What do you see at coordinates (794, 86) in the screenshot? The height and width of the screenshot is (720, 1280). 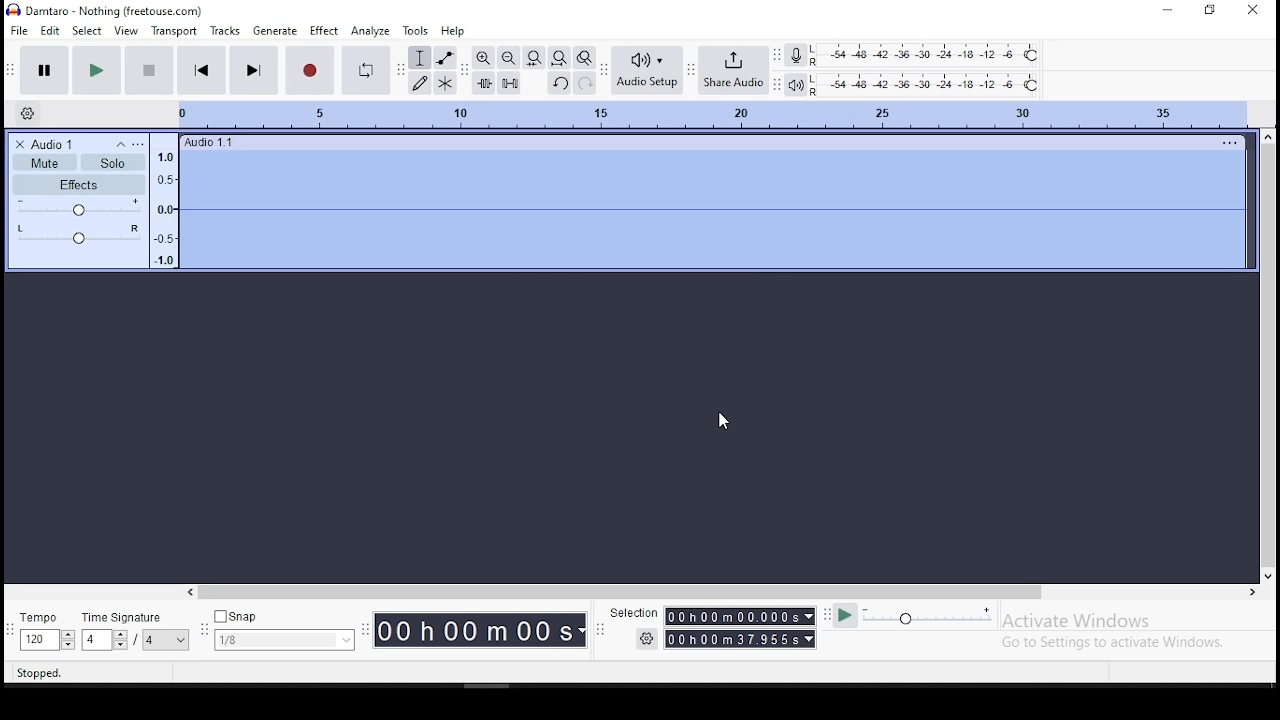 I see `playback meter` at bounding box center [794, 86].